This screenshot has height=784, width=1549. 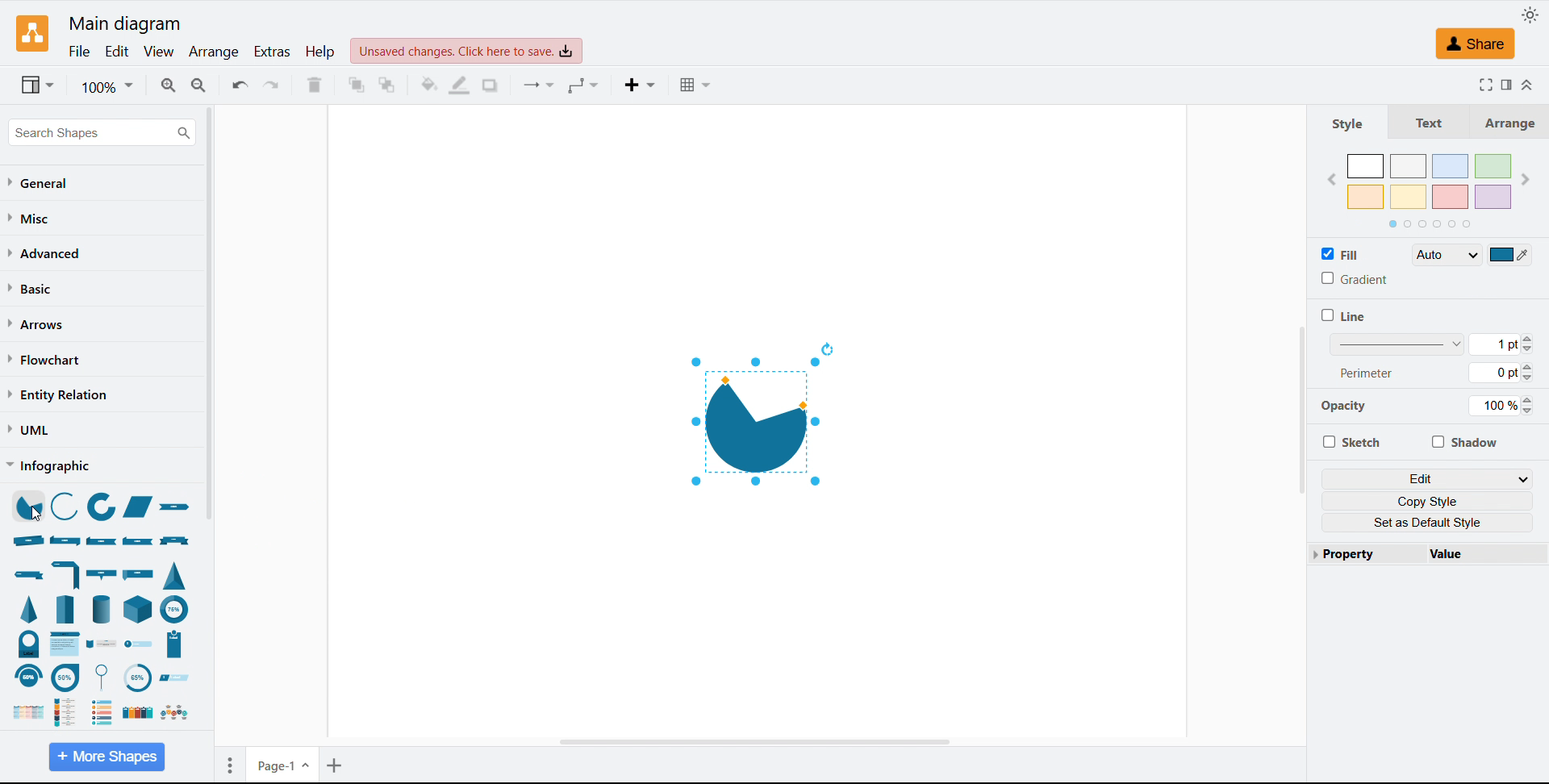 I want to click on pie, so click(x=25, y=507).